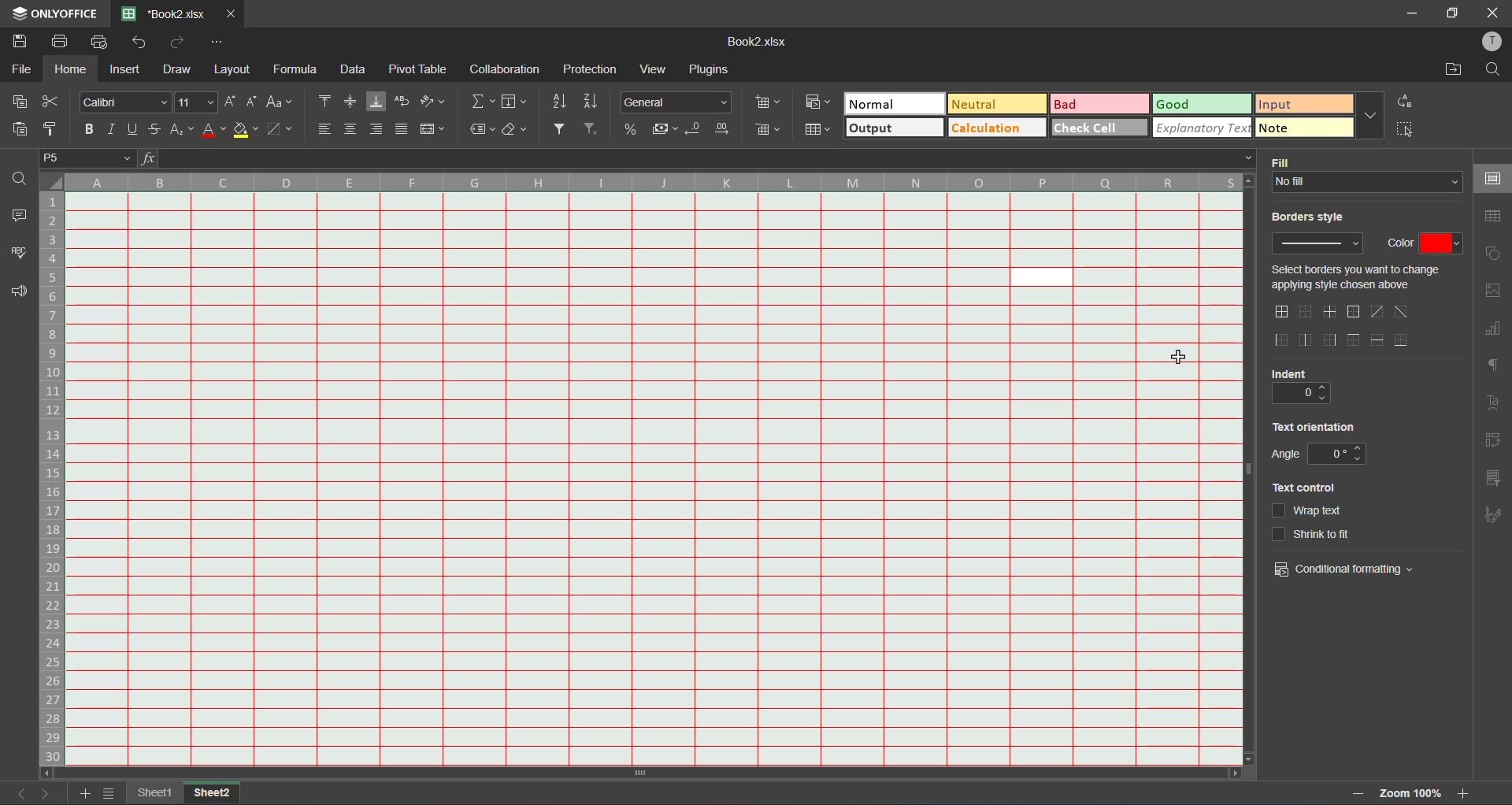 The height and width of the screenshot is (805, 1512). What do you see at coordinates (89, 131) in the screenshot?
I see `bold` at bounding box center [89, 131].